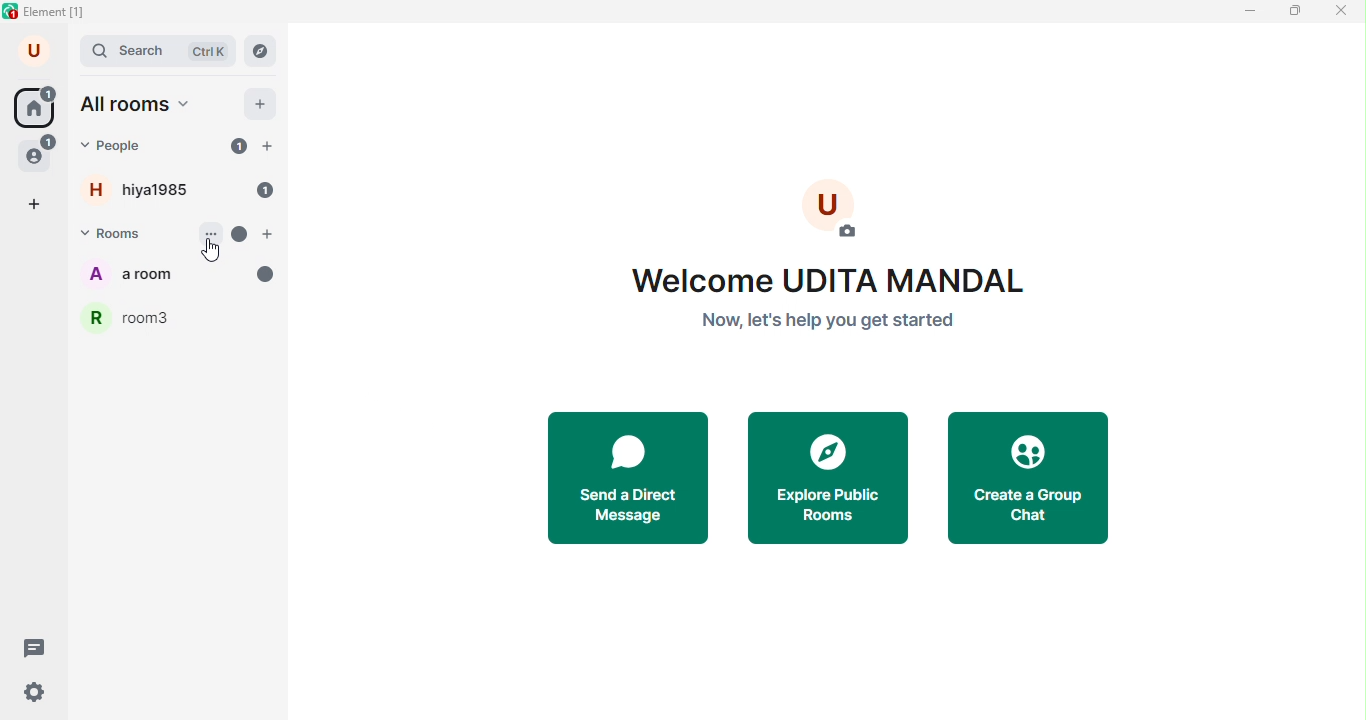 The image size is (1366, 720). What do you see at coordinates (120, 232) in the screenshot?
I see `rooms` at bounding box center [120, 232].